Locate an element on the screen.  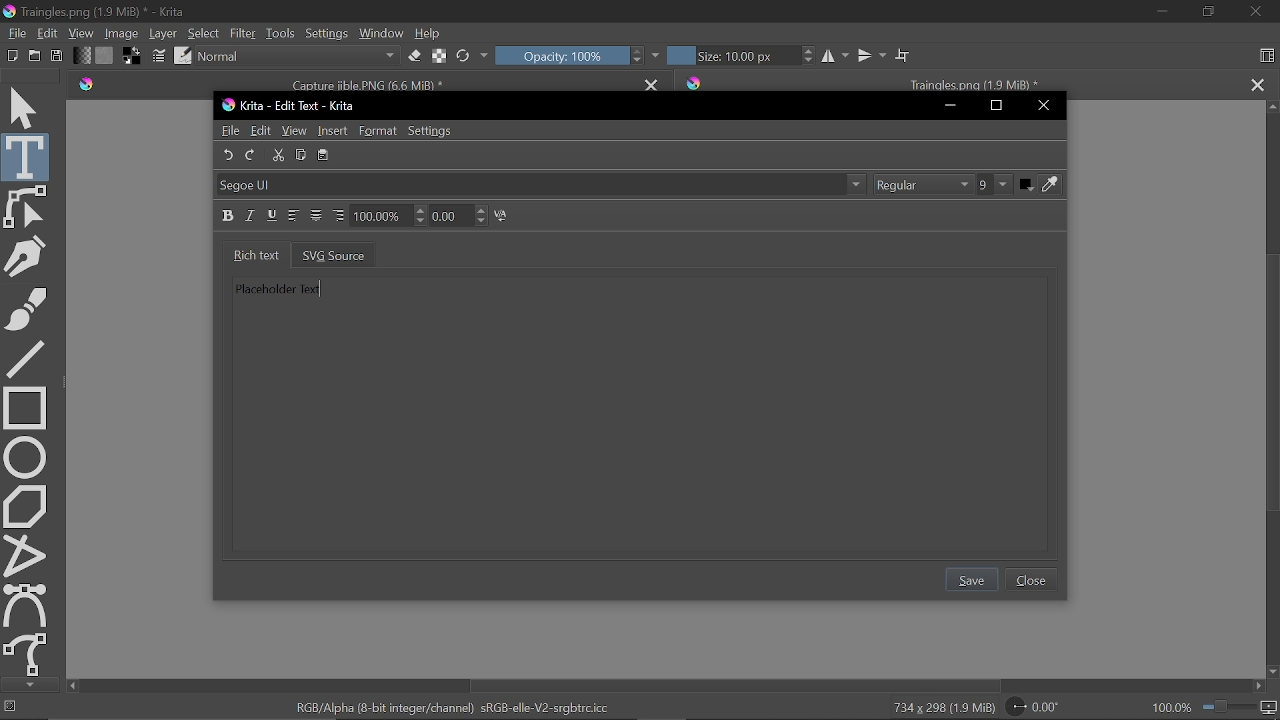
Save is located at coordinates (975, 581).